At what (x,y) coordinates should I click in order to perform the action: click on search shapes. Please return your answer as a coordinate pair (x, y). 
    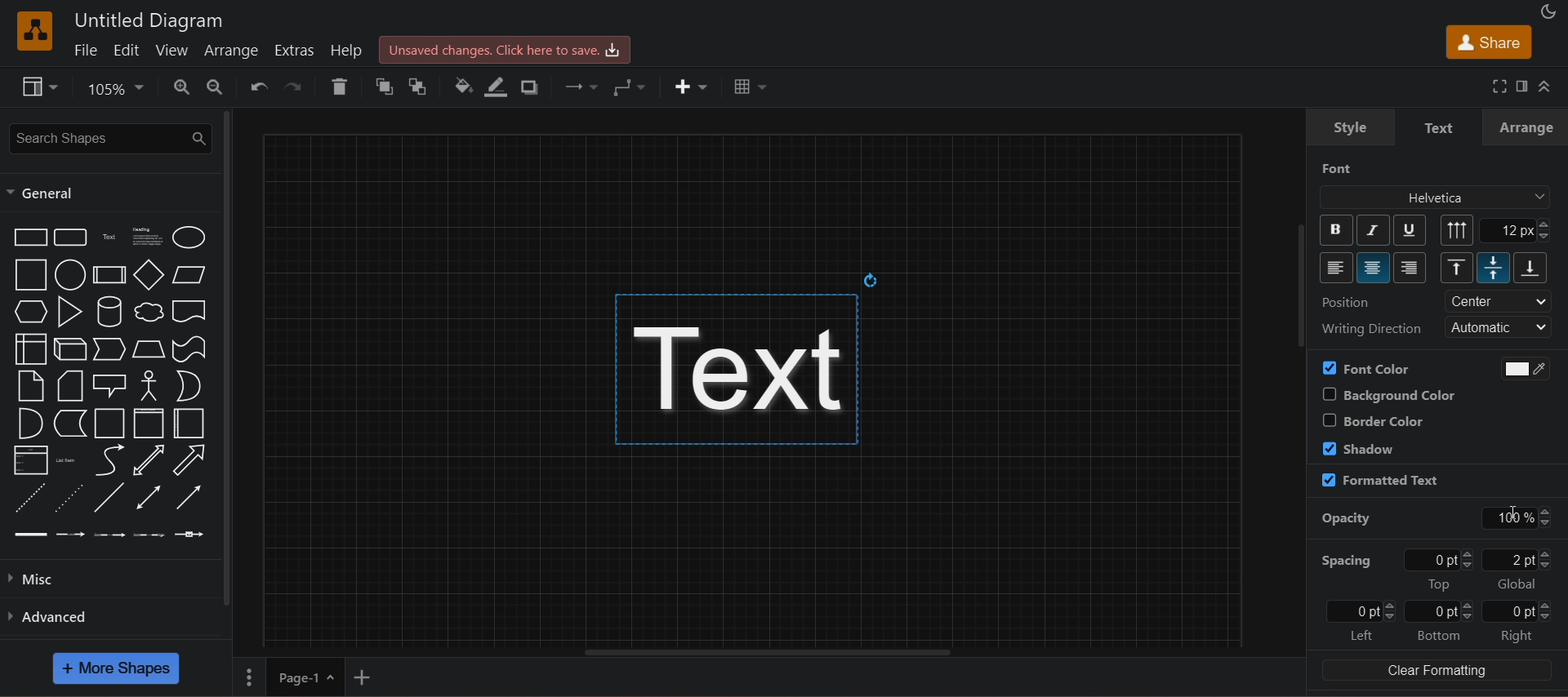
    Looking at the image, I should click on (108, 139).